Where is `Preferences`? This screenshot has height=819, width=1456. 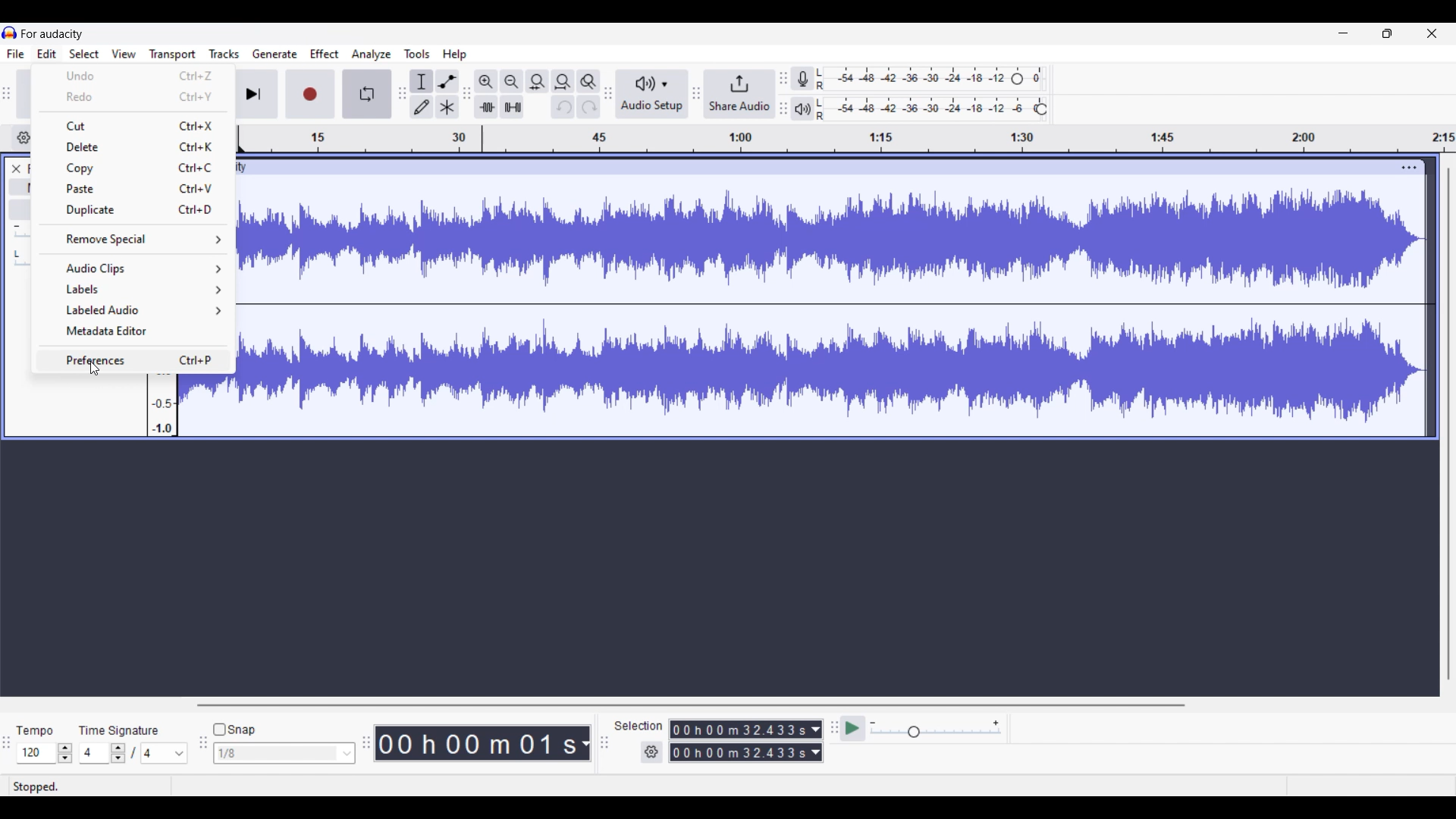
Preferences is located at coordinates (134, 359).